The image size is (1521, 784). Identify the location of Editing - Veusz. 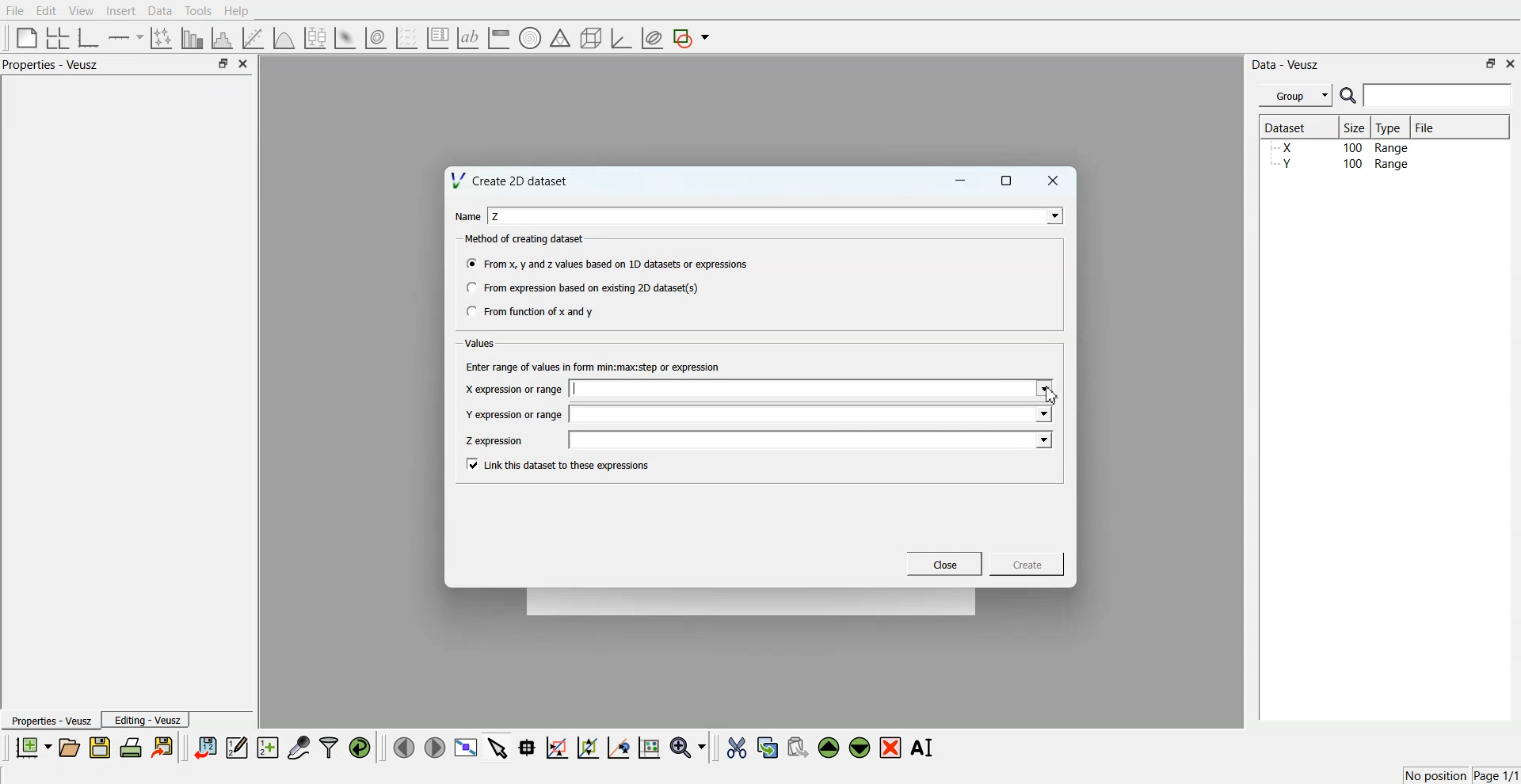
(146, 719).